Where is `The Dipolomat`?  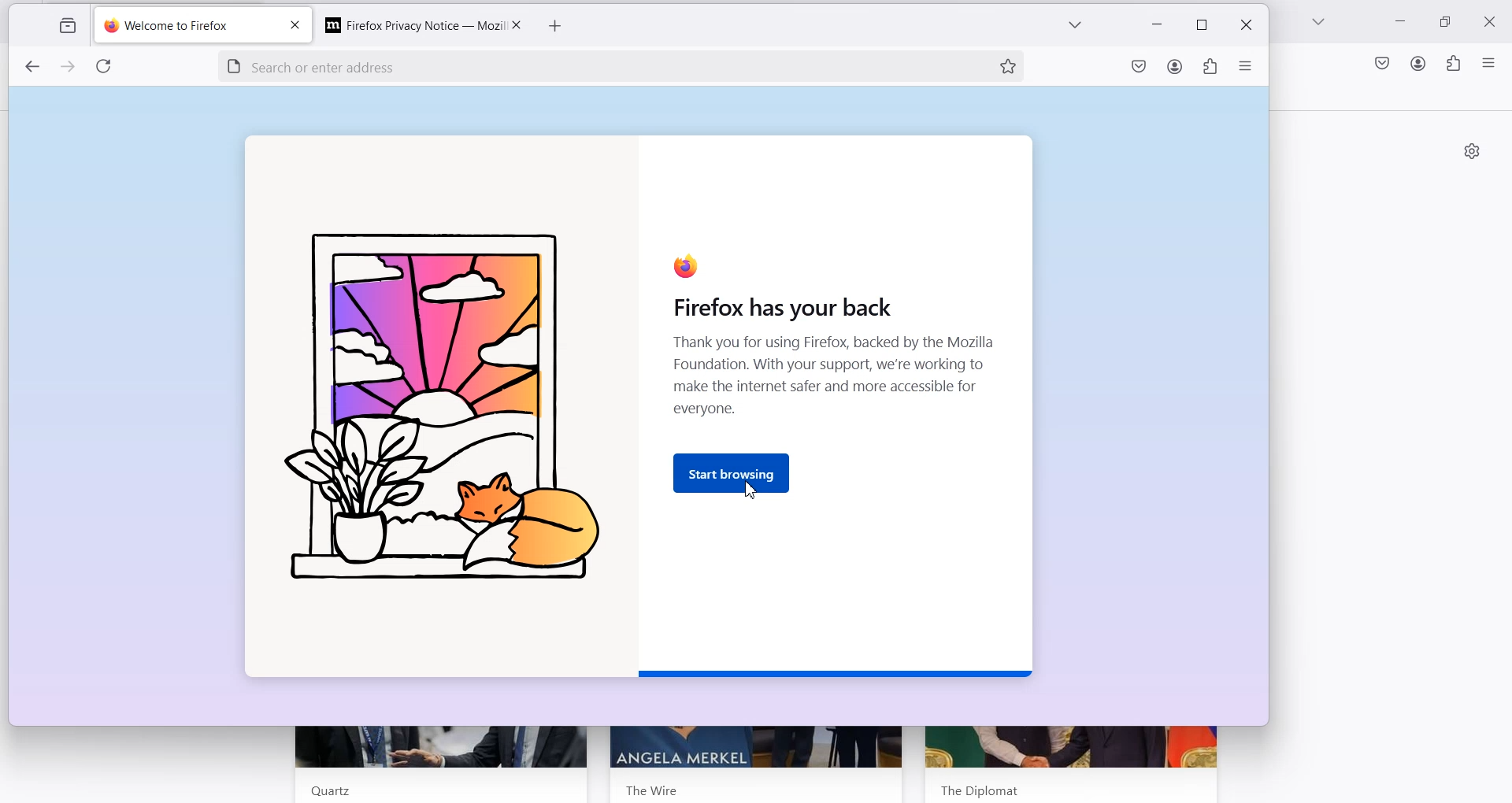 The Dipolomat is located at coordinates (975, 787).